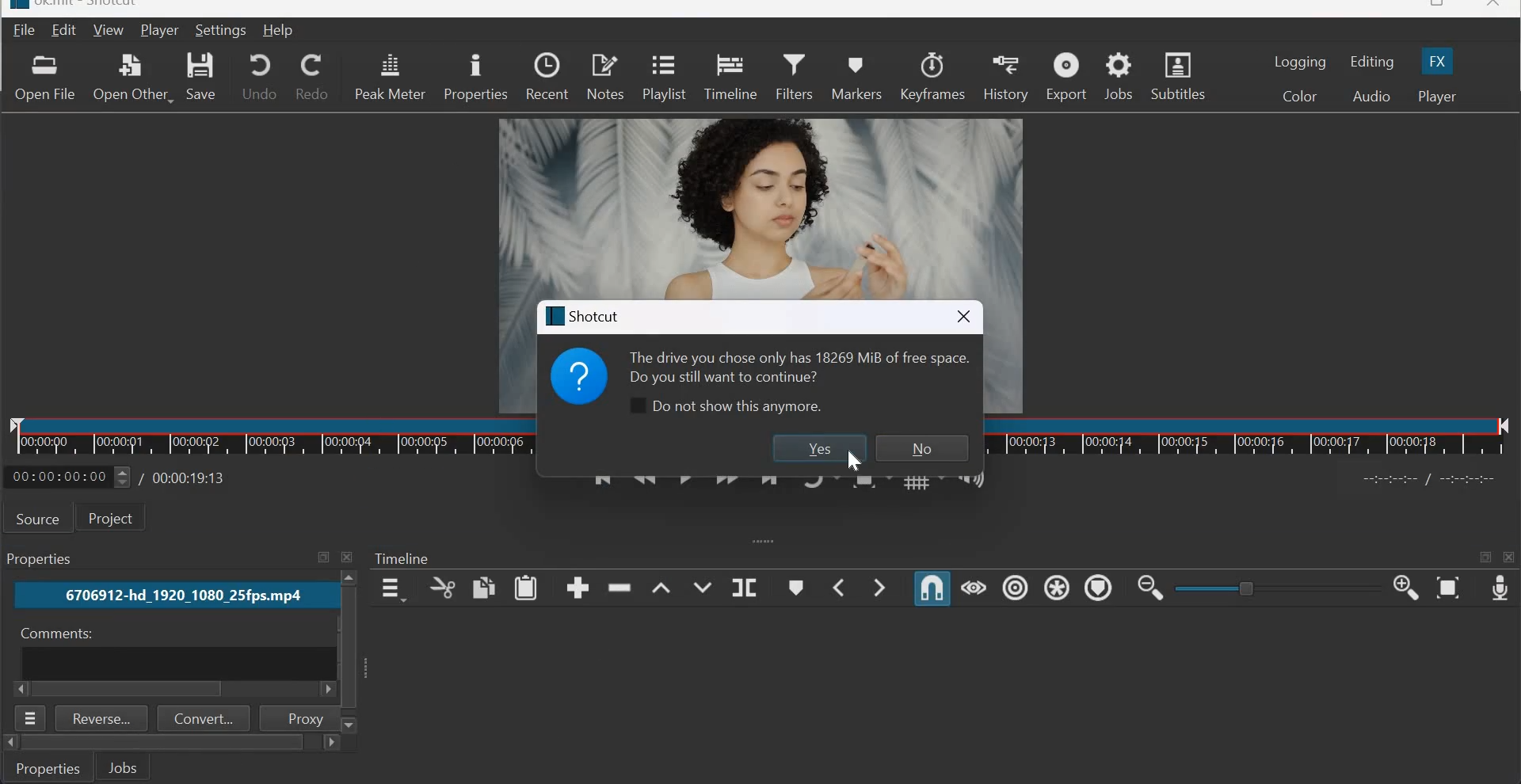  Describe the element at coordinates (349, 578) in the screenshot. I see `scroll up` at that location.